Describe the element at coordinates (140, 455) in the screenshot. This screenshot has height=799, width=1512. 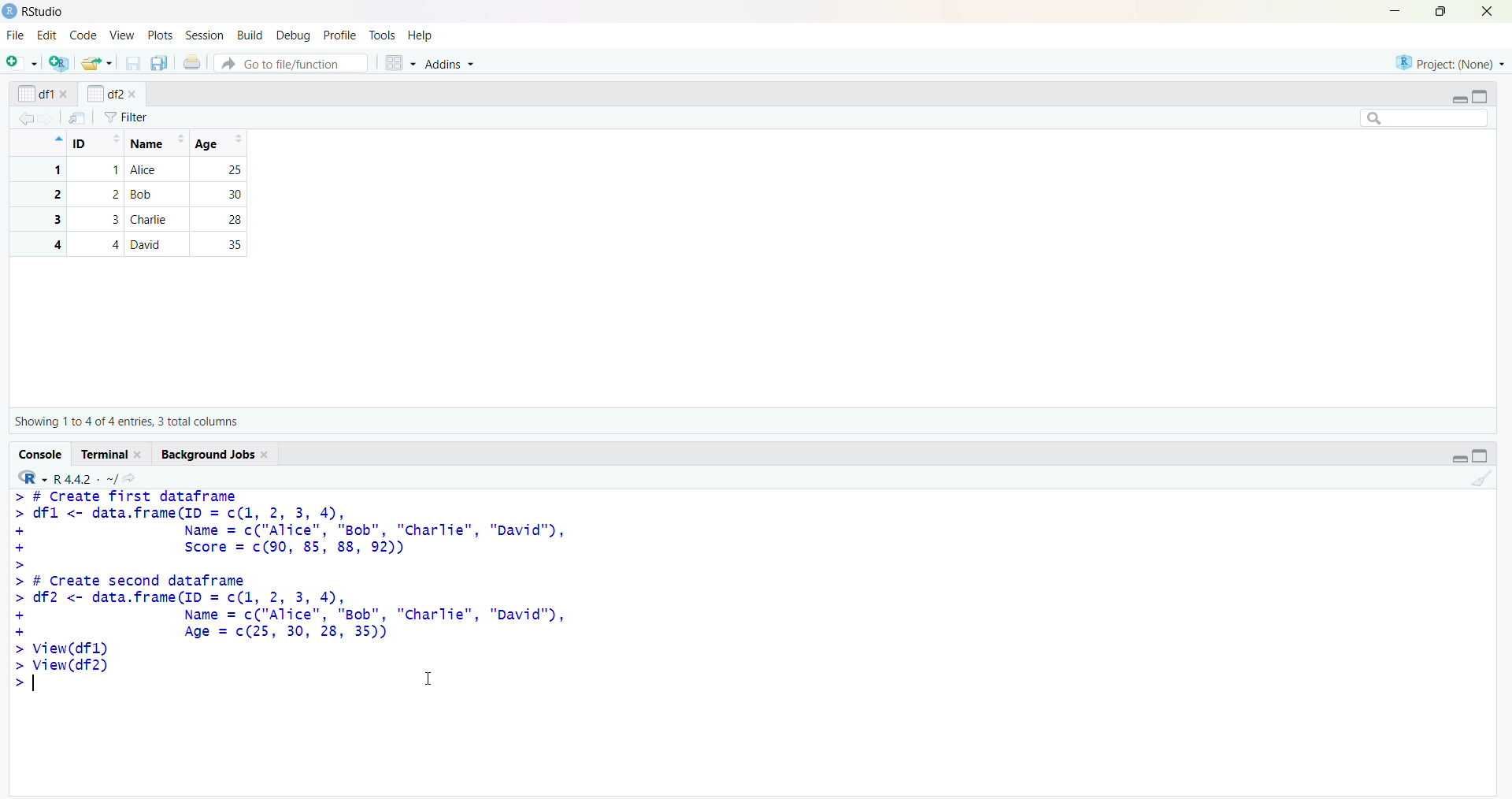
I see `close` at that location.